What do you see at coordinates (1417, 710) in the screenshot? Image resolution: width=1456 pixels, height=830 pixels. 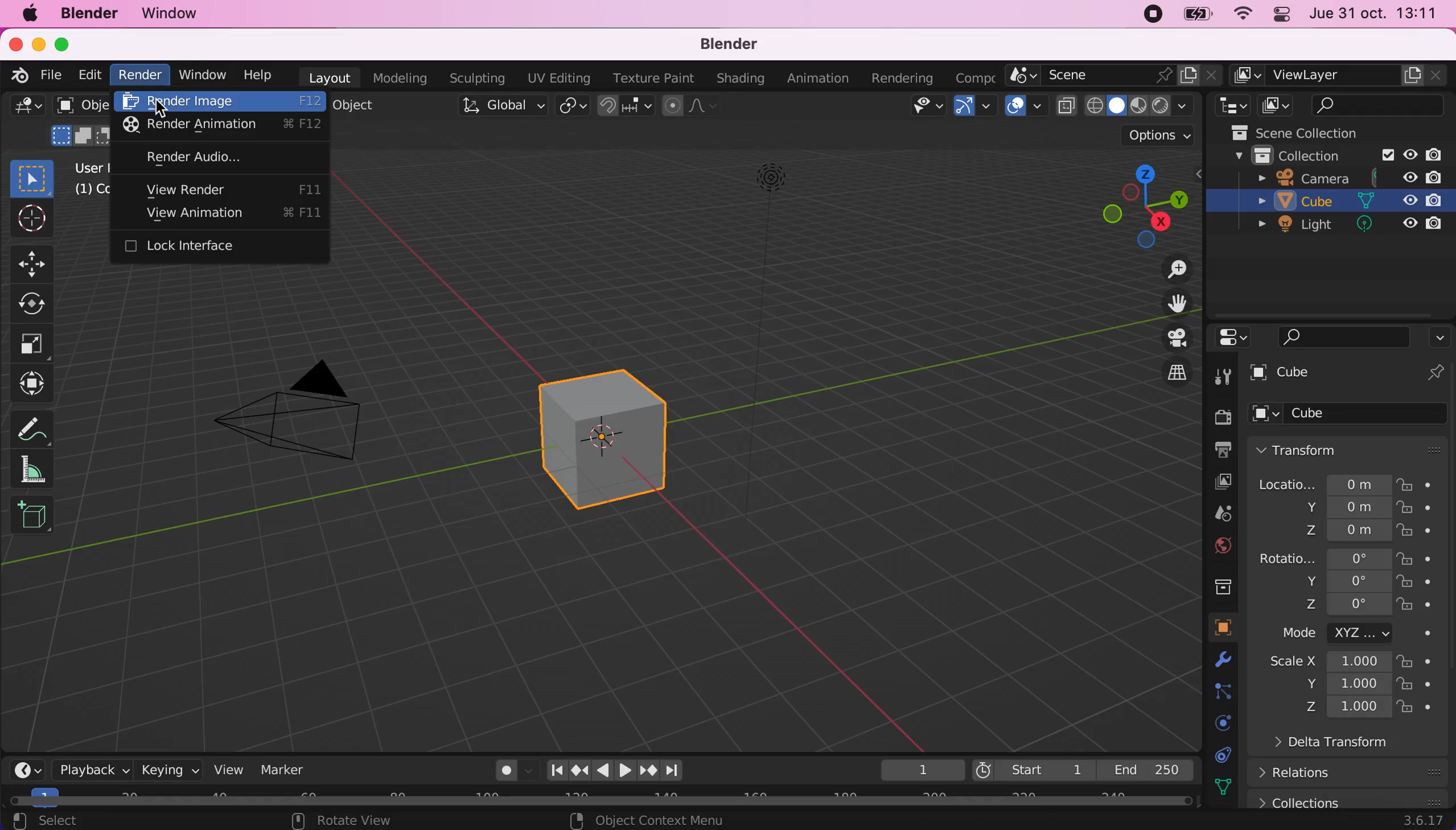 I see `lock` at bounding box center [1417, 710].